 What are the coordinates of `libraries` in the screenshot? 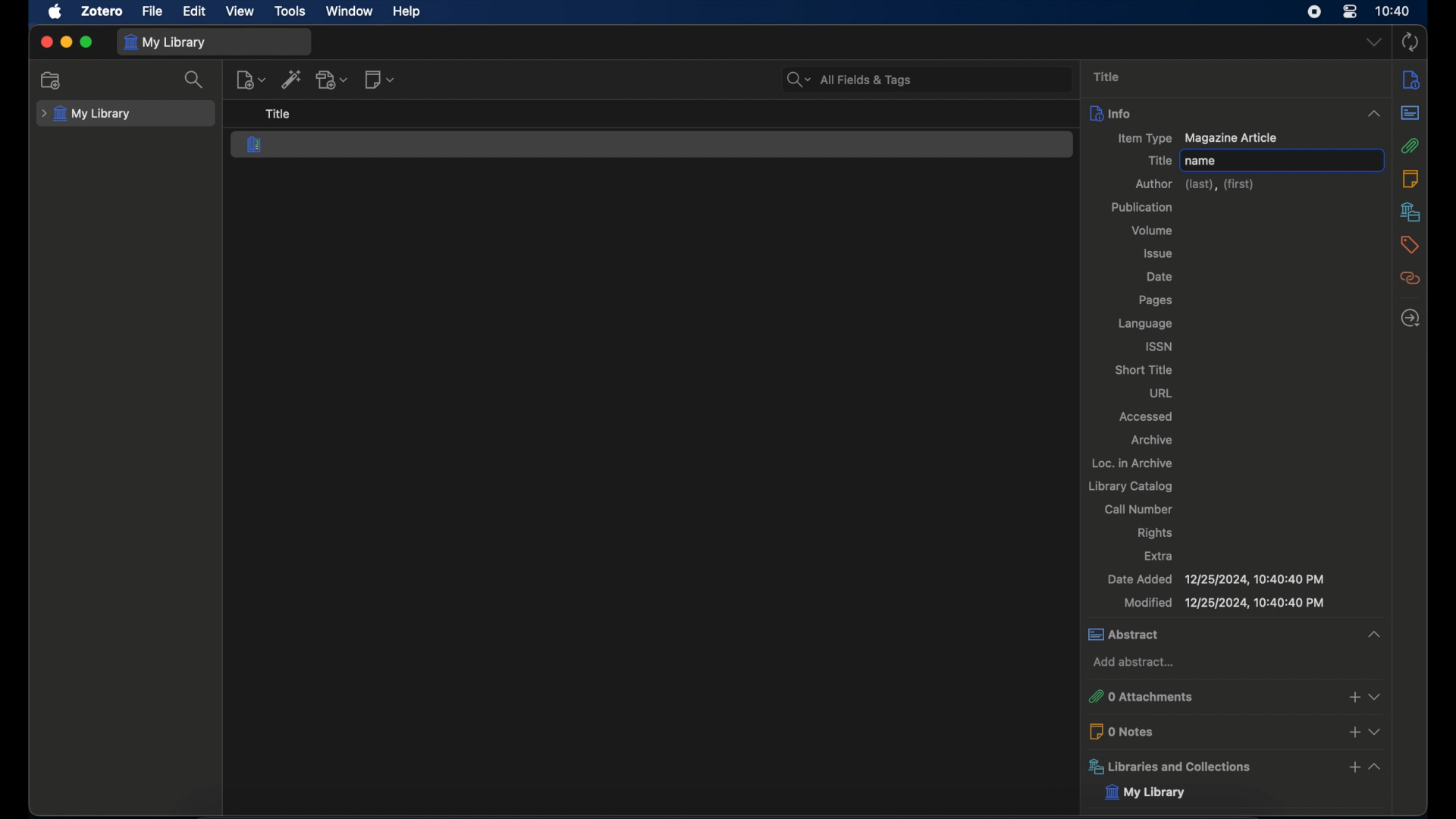 It's located at (1235, 767).